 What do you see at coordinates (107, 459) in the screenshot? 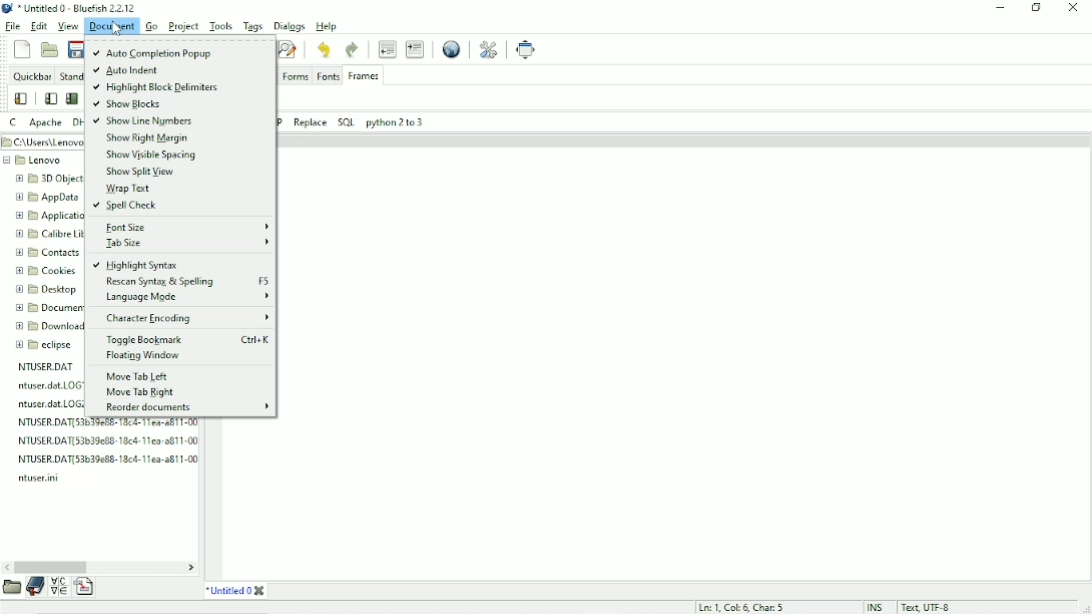
I see `file` at bounding box center [107, 459].